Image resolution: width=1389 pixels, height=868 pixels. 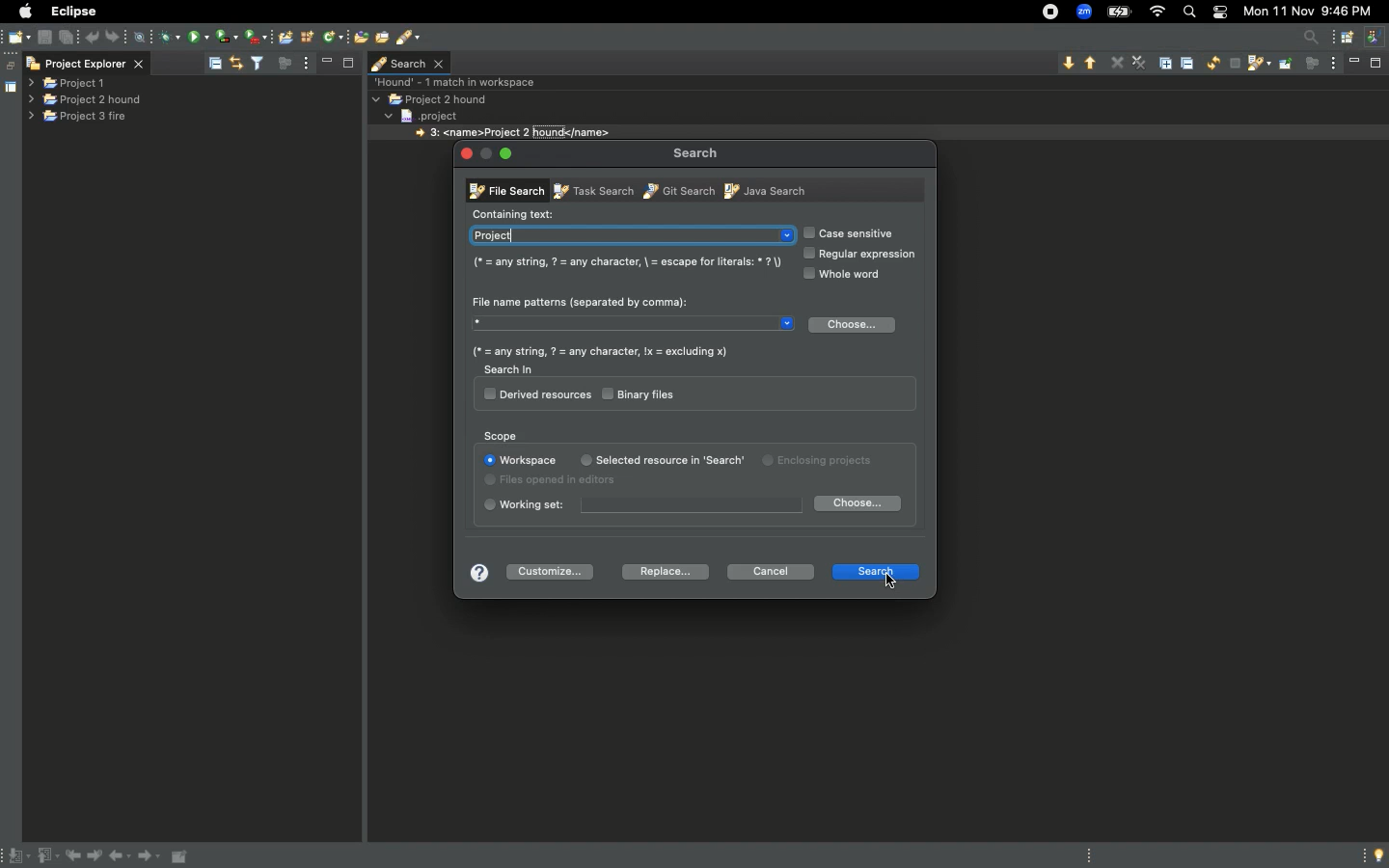 I want to click on Search, so click(x=1188, y=13).